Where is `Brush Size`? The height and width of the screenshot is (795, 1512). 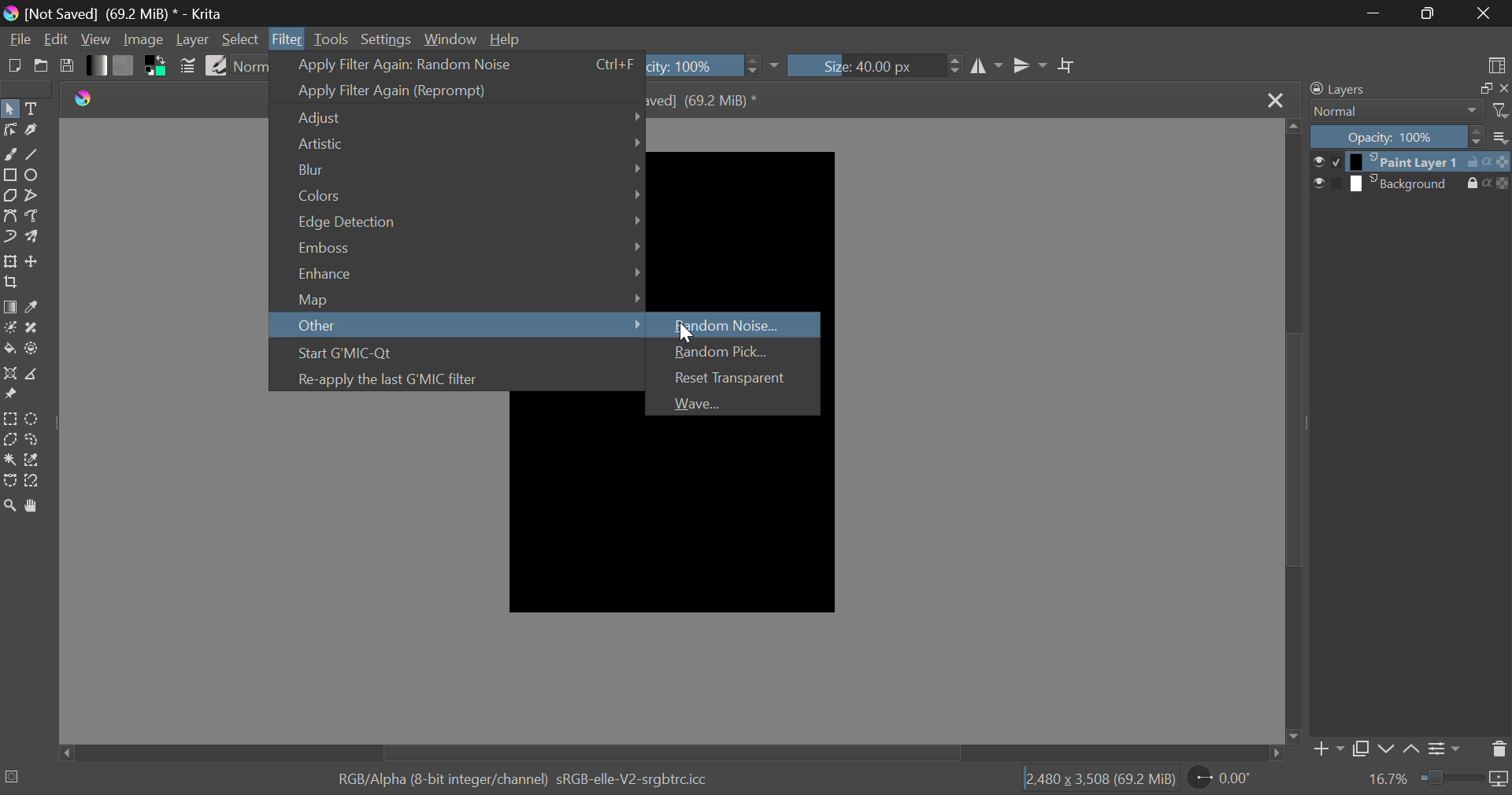
Brush Size is located at coordinates (875, 65).